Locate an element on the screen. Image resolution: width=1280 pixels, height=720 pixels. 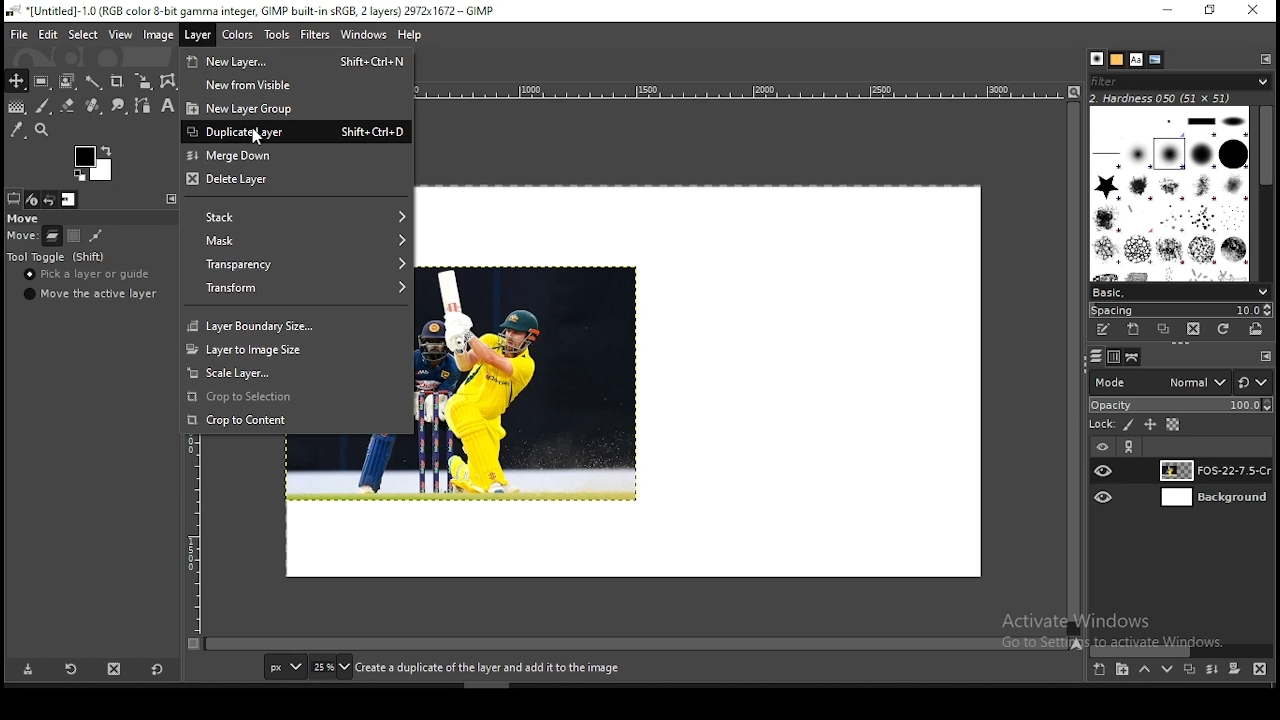
refresh brushes is located at coordinates (1225, 329).